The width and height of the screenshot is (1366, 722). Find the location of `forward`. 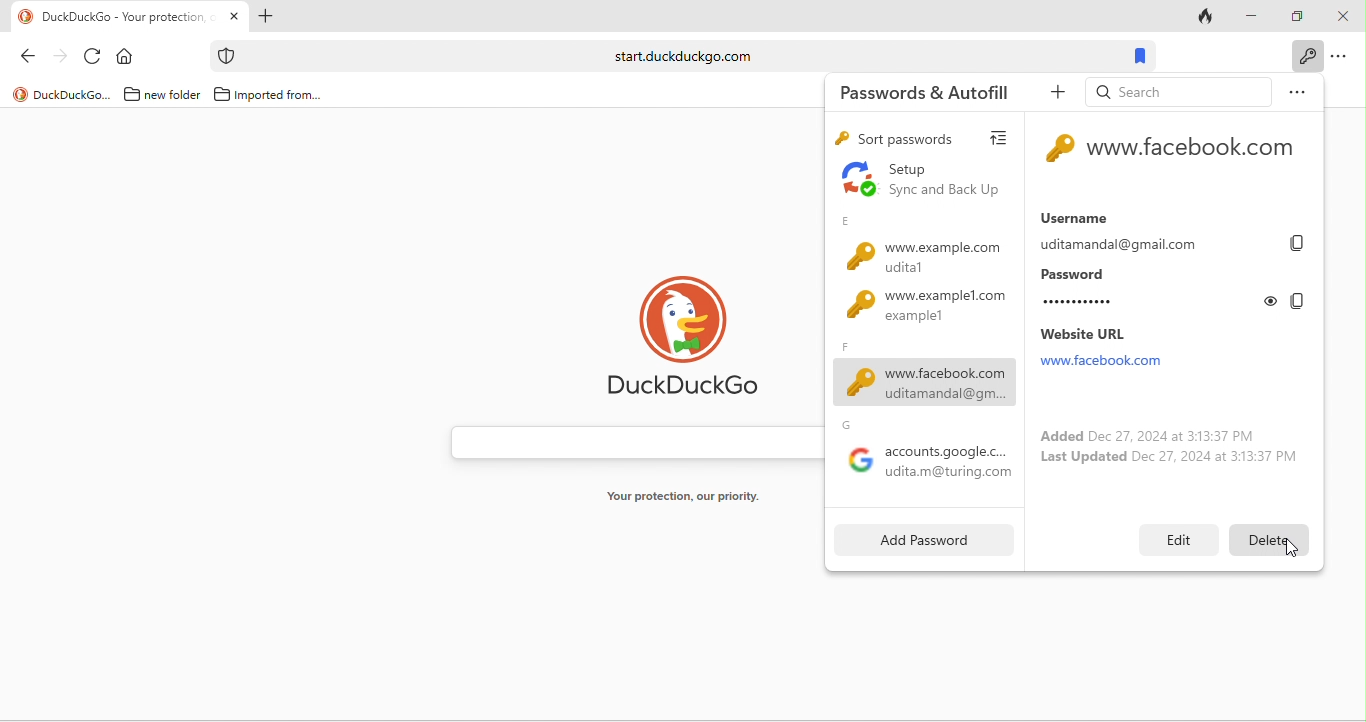

forward is located at coordinates (62, 60).